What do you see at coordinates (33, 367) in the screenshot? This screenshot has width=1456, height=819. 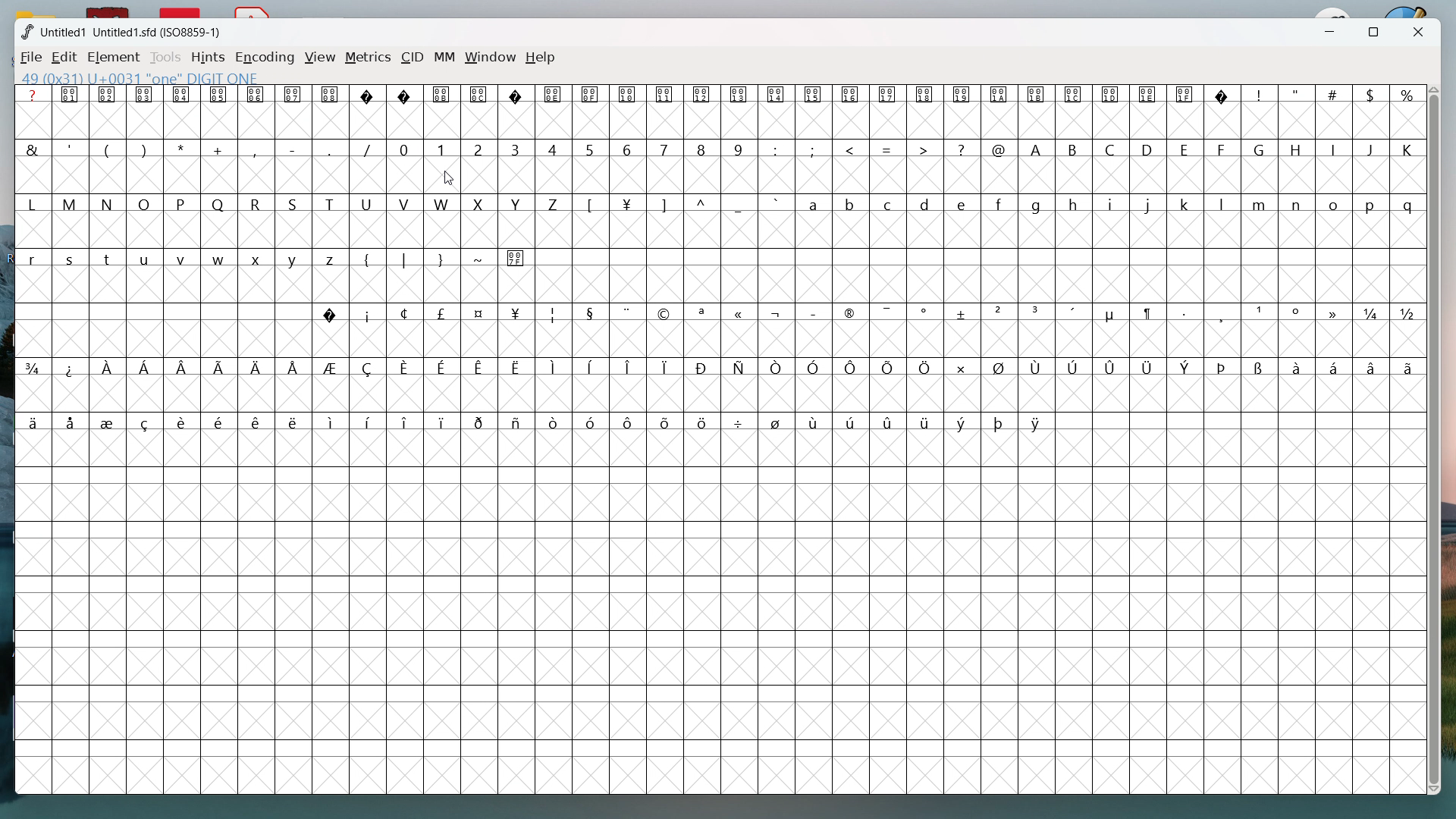 I see `symbol` at bounding box center [33, 367].